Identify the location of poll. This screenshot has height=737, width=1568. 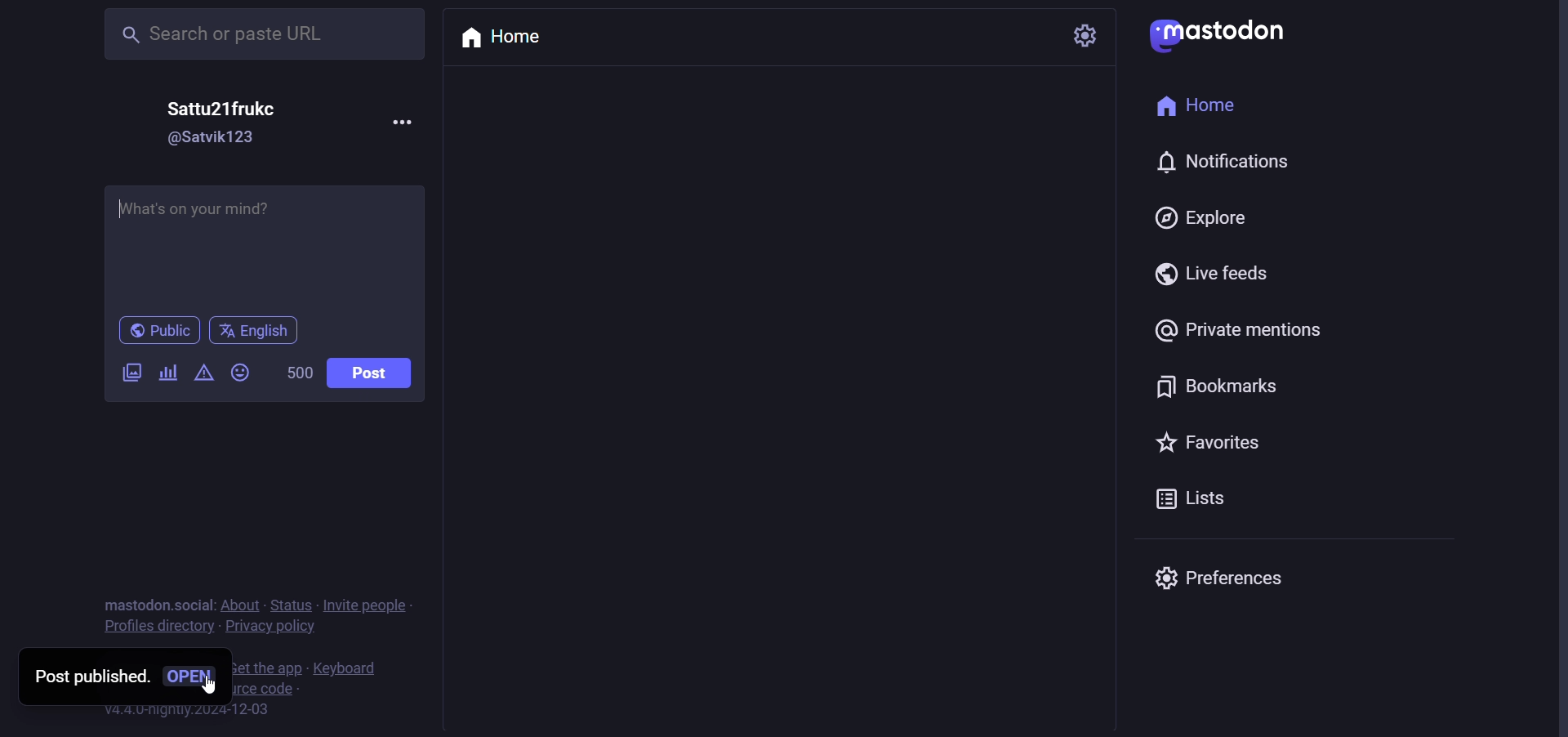
(164, 377).